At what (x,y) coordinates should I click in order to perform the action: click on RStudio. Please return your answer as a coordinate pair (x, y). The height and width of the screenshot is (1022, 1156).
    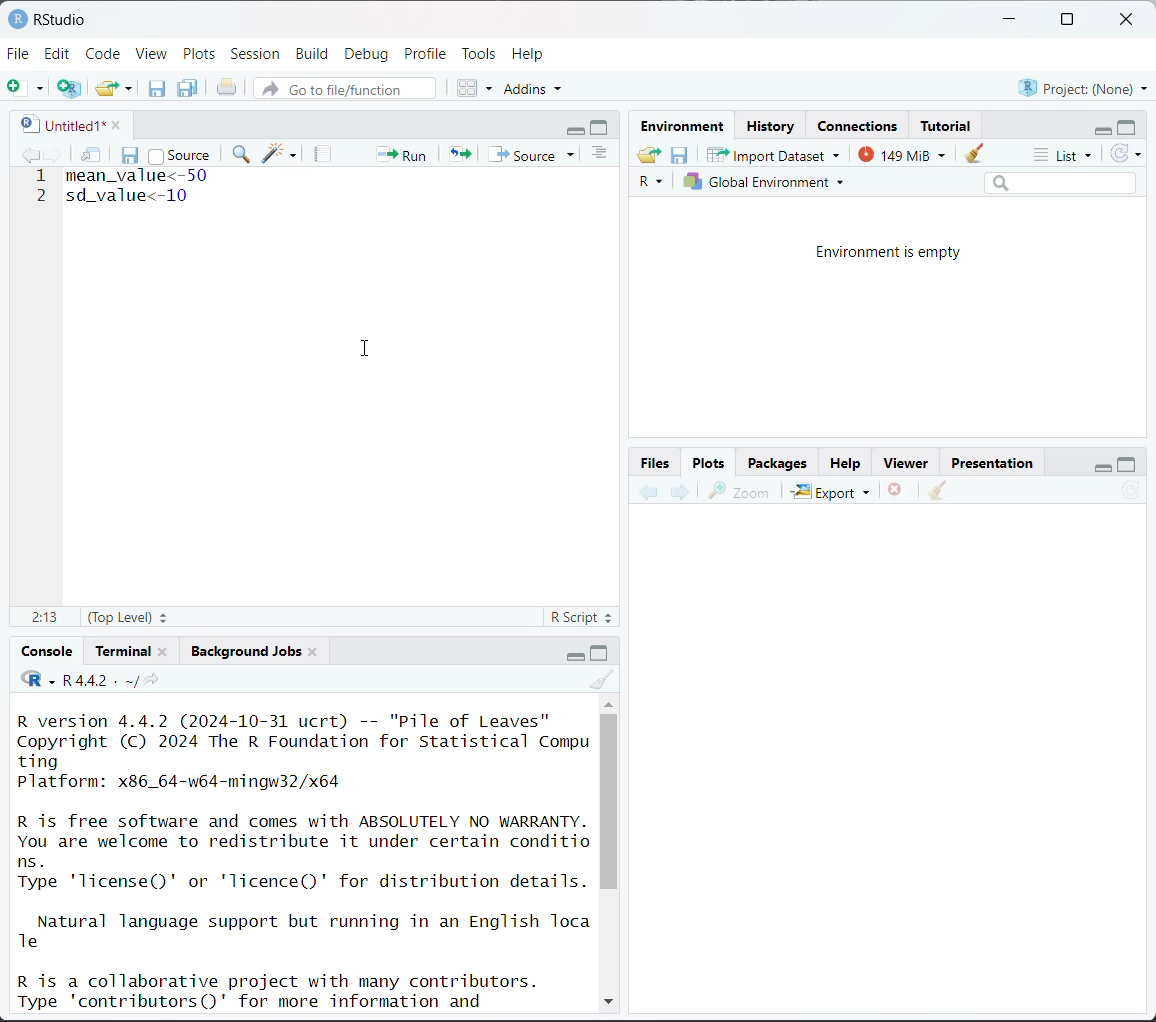
    Looking at the image, I should click on (47, 18).